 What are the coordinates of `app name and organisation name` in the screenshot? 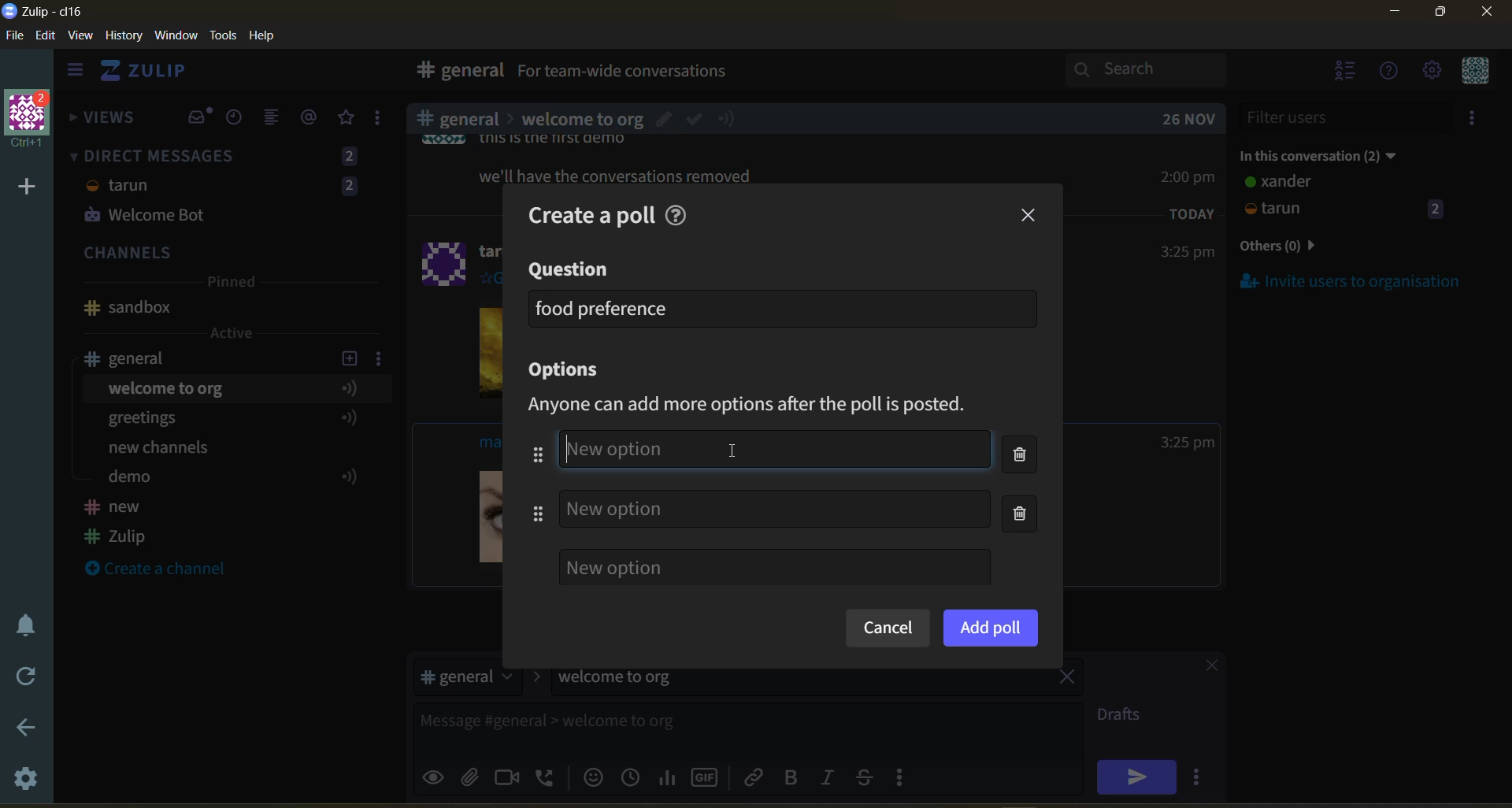 It's located at (43, 12).